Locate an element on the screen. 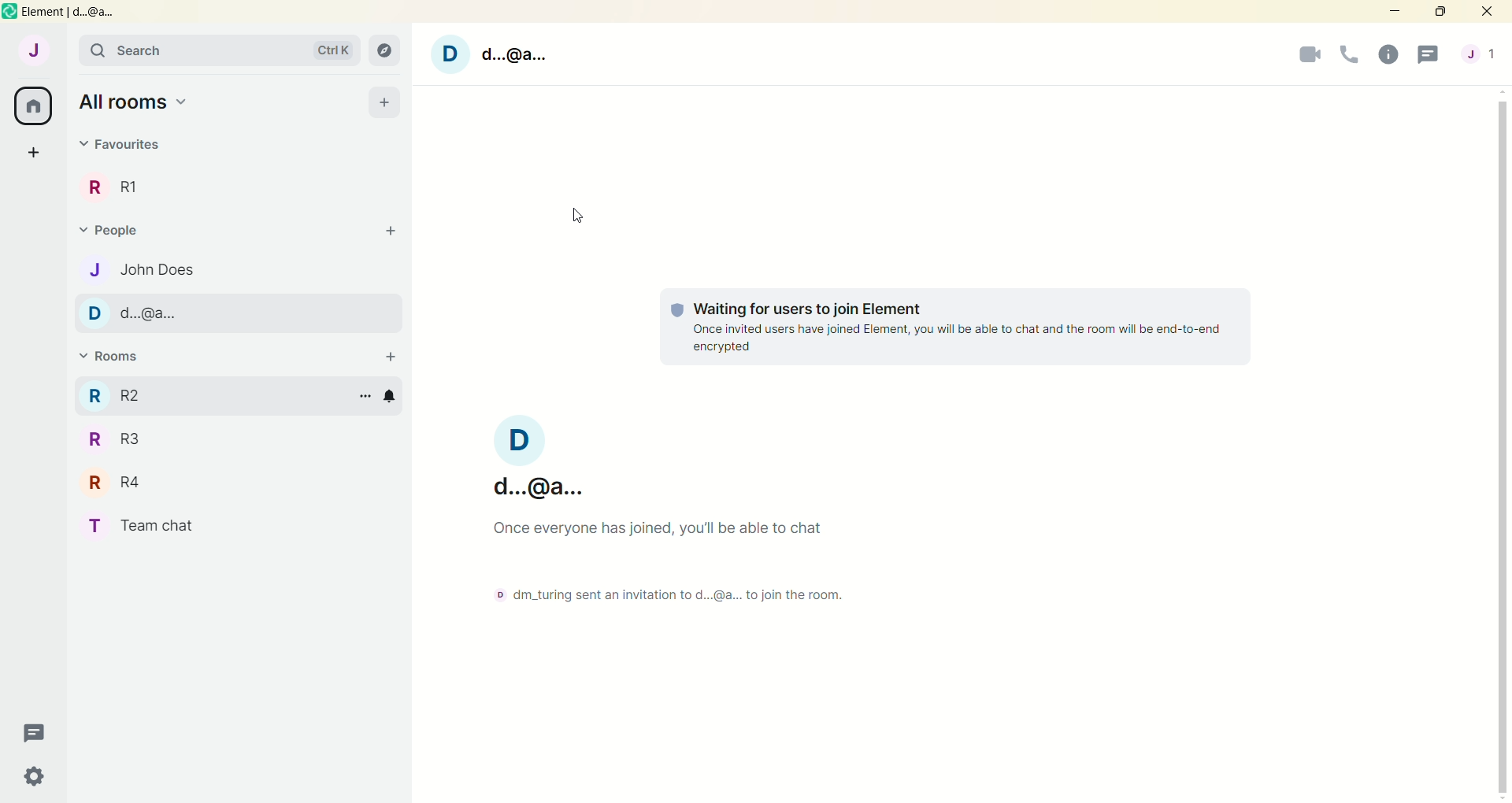 The height and width of the screenshot is (803, 1512). T Team chat is located at coordinates (138, 529).